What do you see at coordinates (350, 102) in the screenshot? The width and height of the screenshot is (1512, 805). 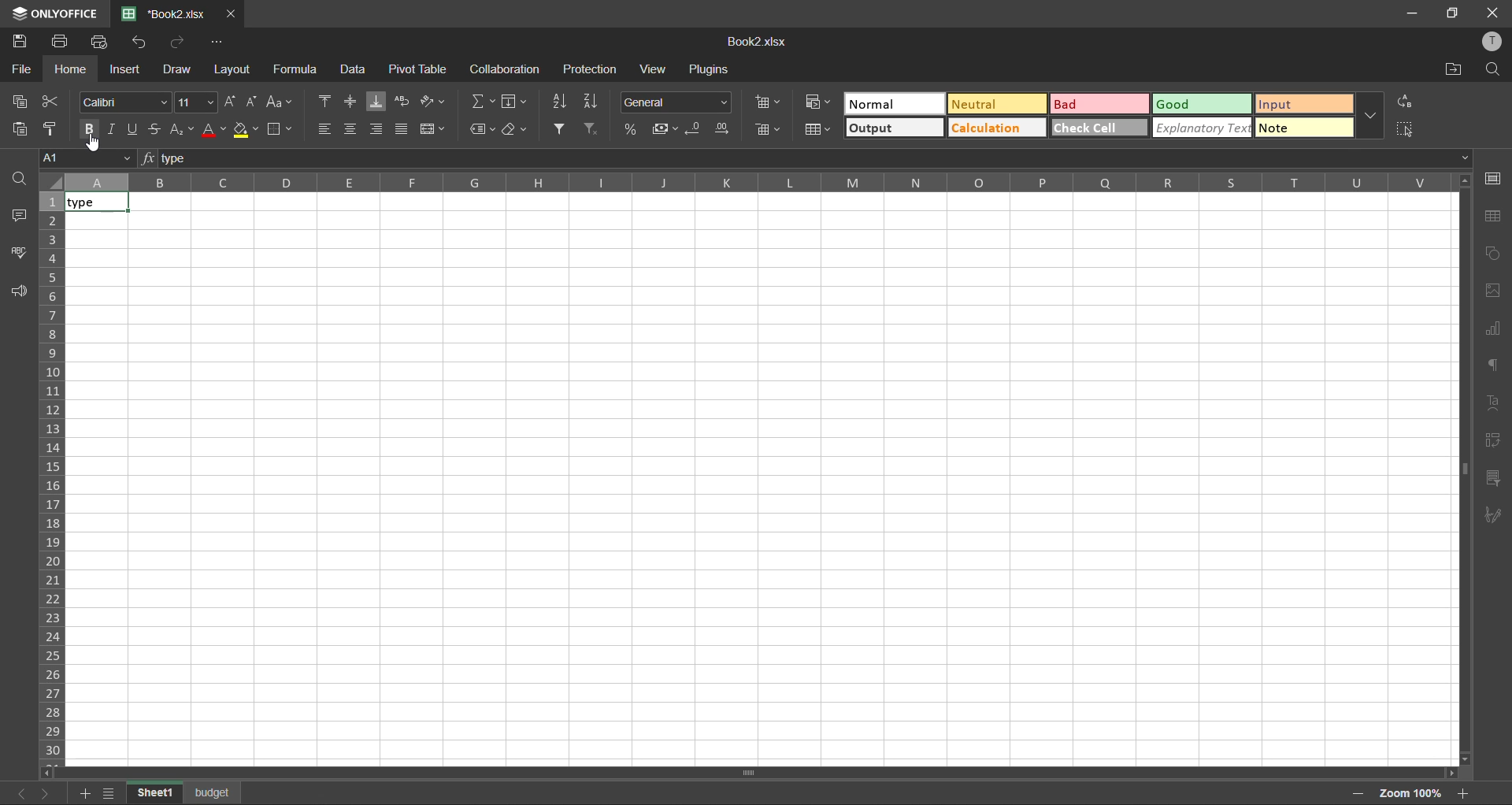 I see `align middle` at bounding box center [350, 102].